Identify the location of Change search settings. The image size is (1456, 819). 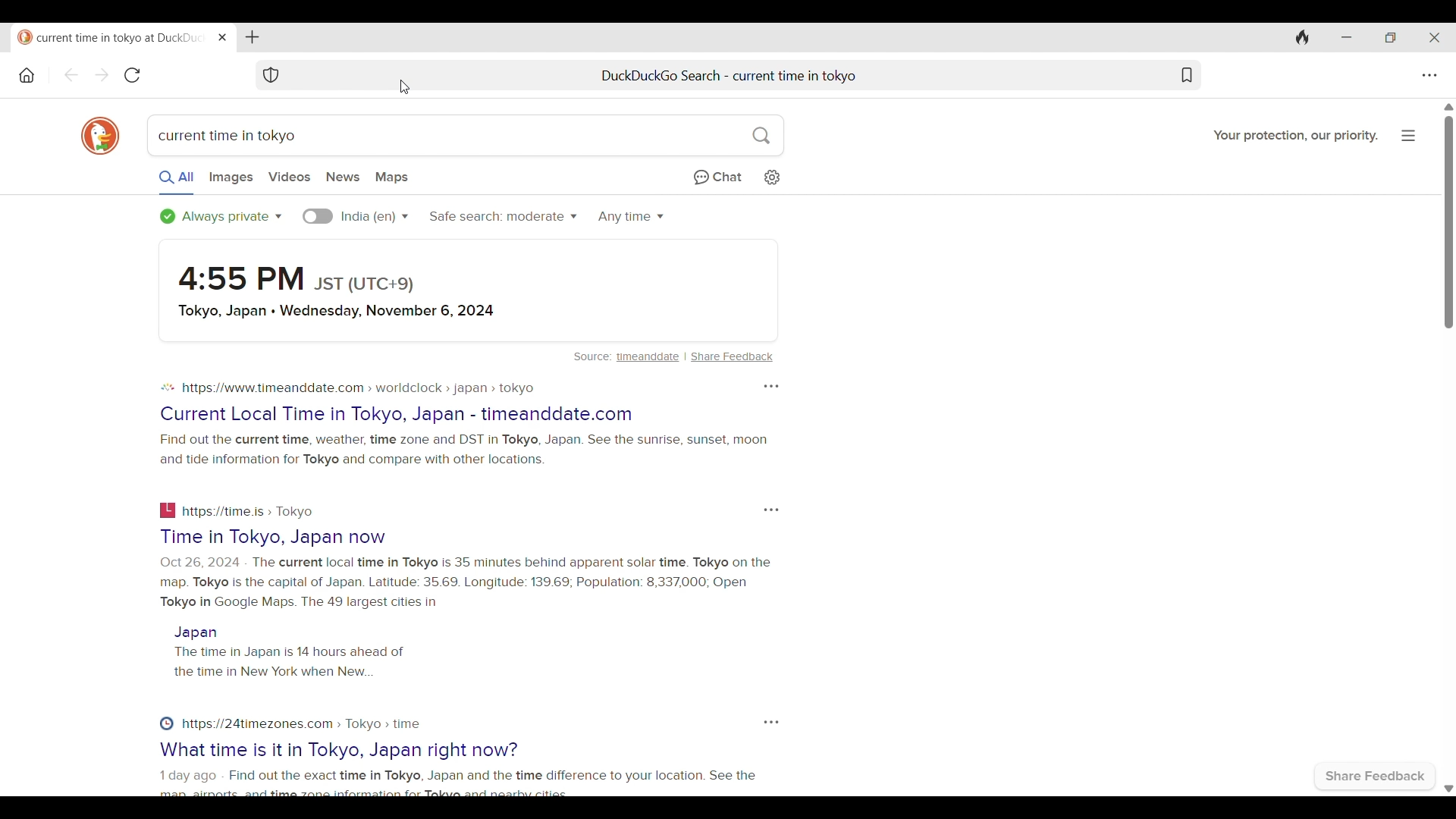
(773, 177).